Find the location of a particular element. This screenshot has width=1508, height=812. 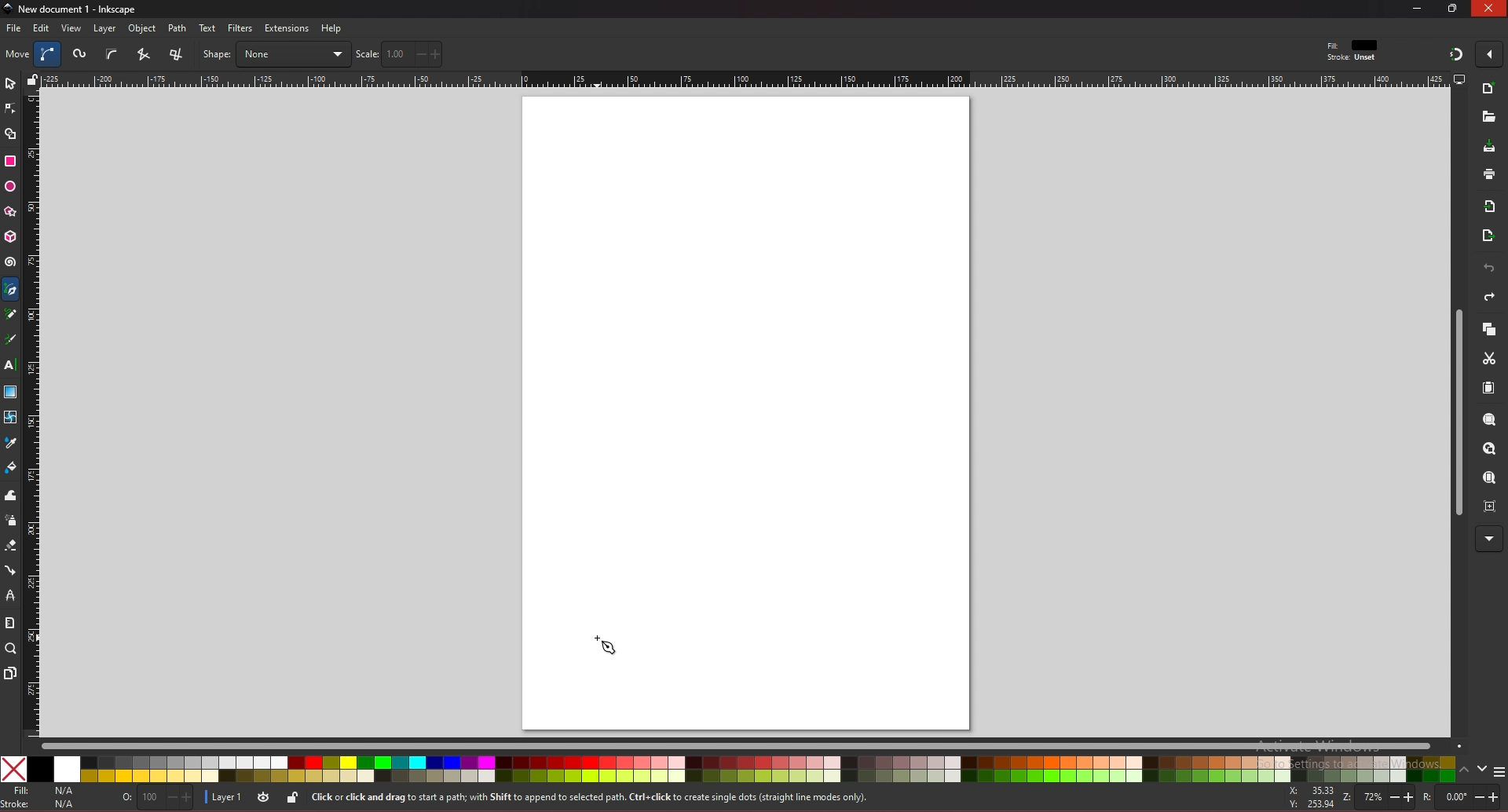

object is located at coordinates (145, 29).